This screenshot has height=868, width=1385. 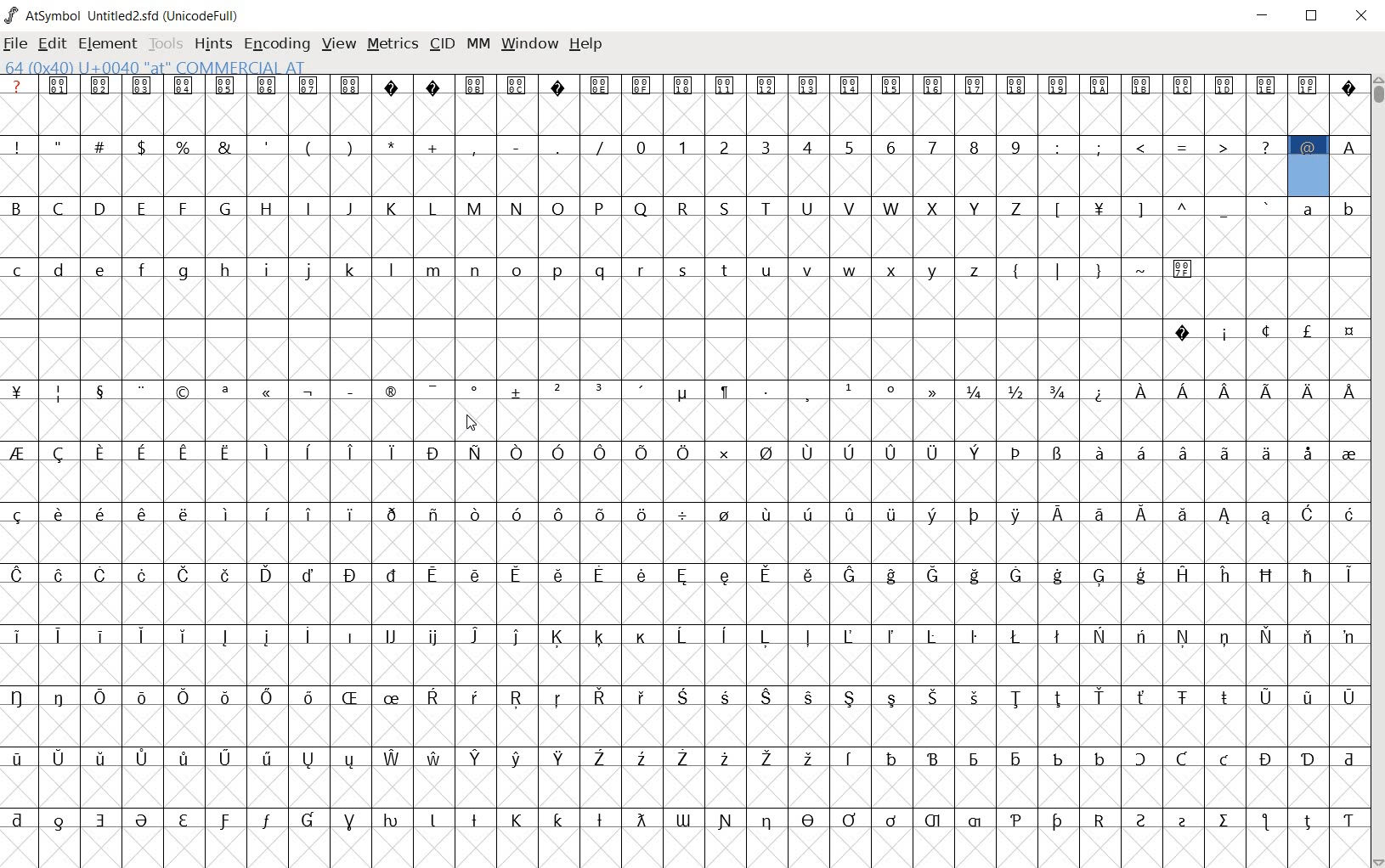 I want to click on special characters, so click(x=1162, y=146).